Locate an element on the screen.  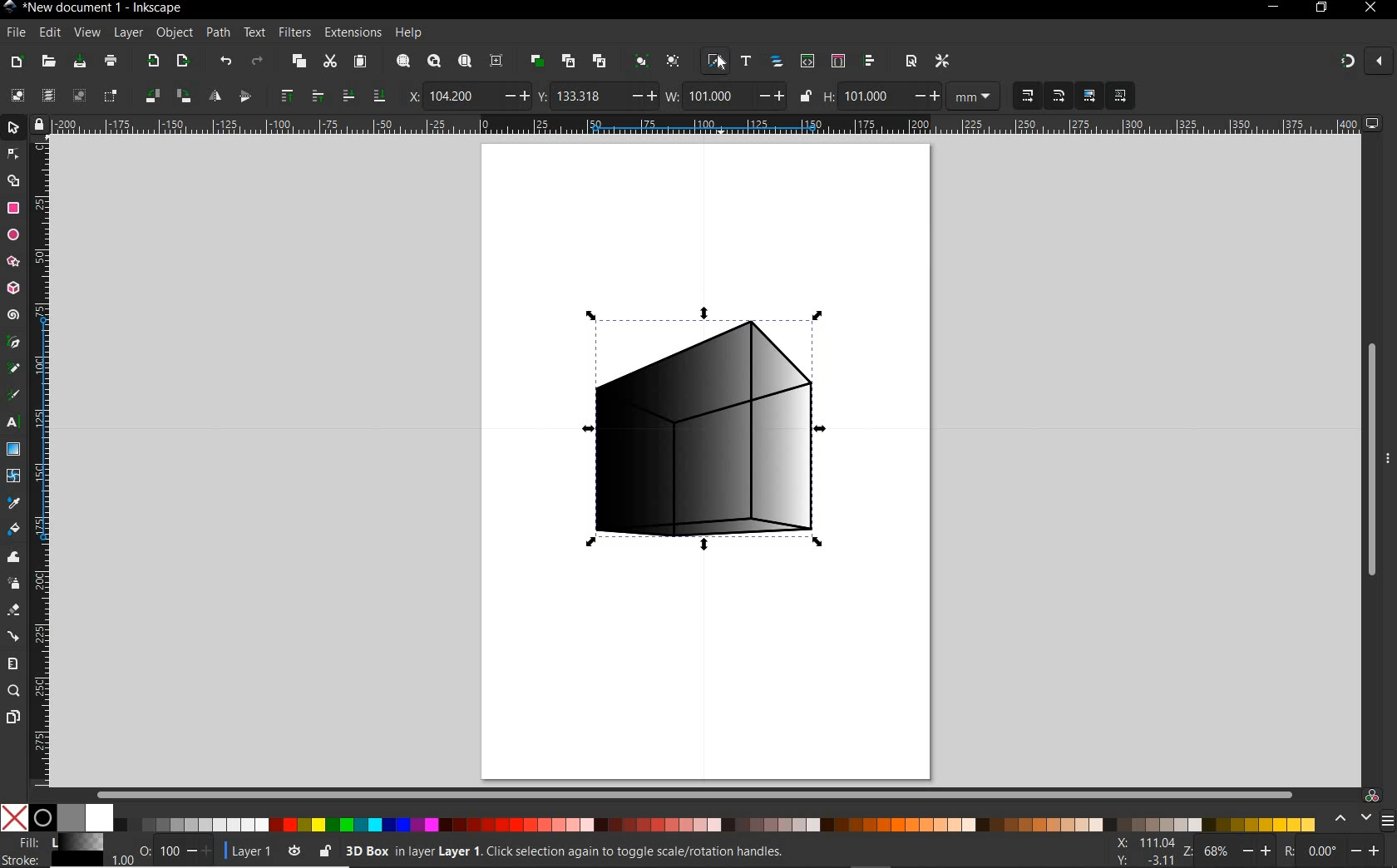
COLOR MODE is located at coordinates (658, 818).